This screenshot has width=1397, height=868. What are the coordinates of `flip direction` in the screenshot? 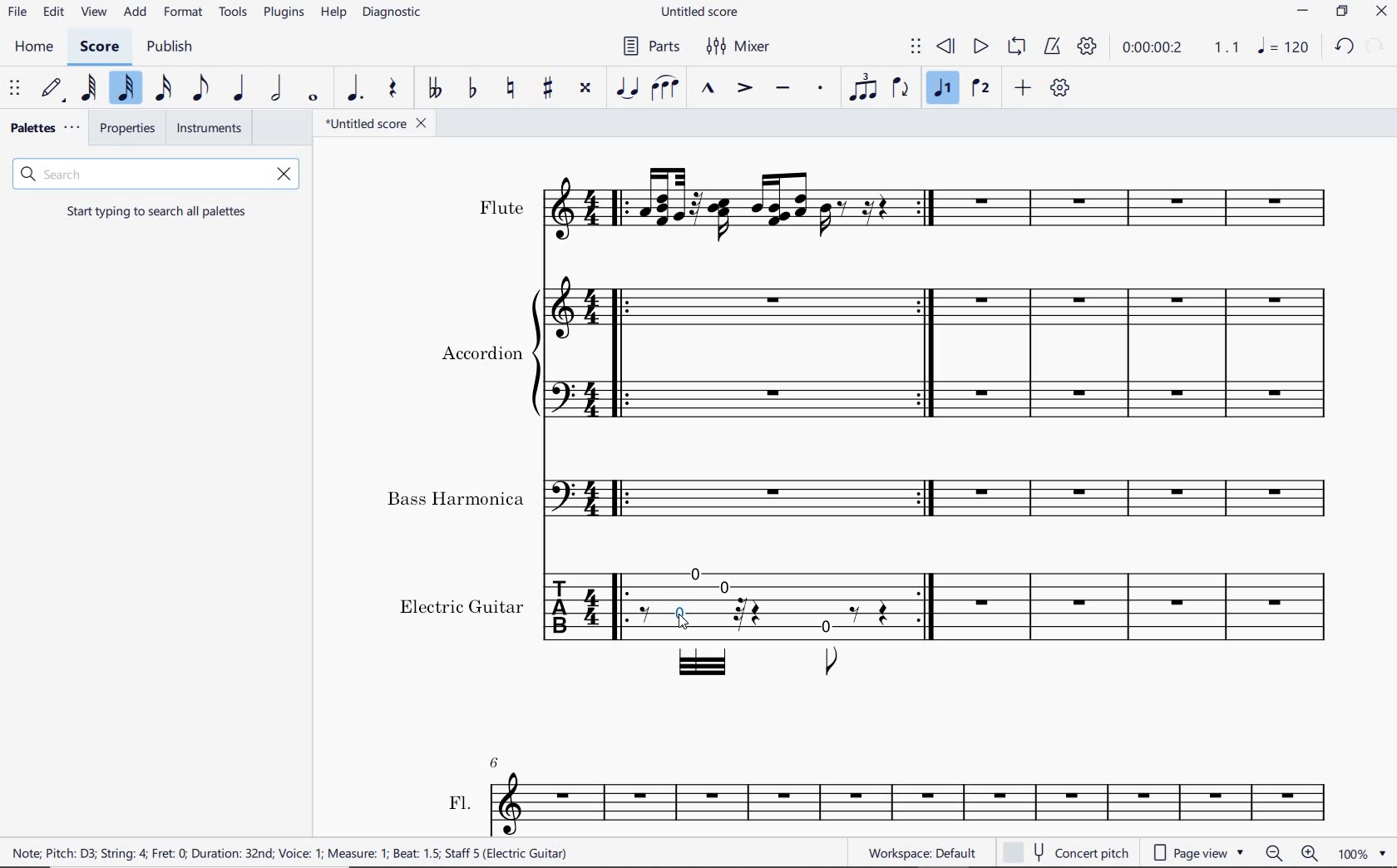 It's located at (901, 88).